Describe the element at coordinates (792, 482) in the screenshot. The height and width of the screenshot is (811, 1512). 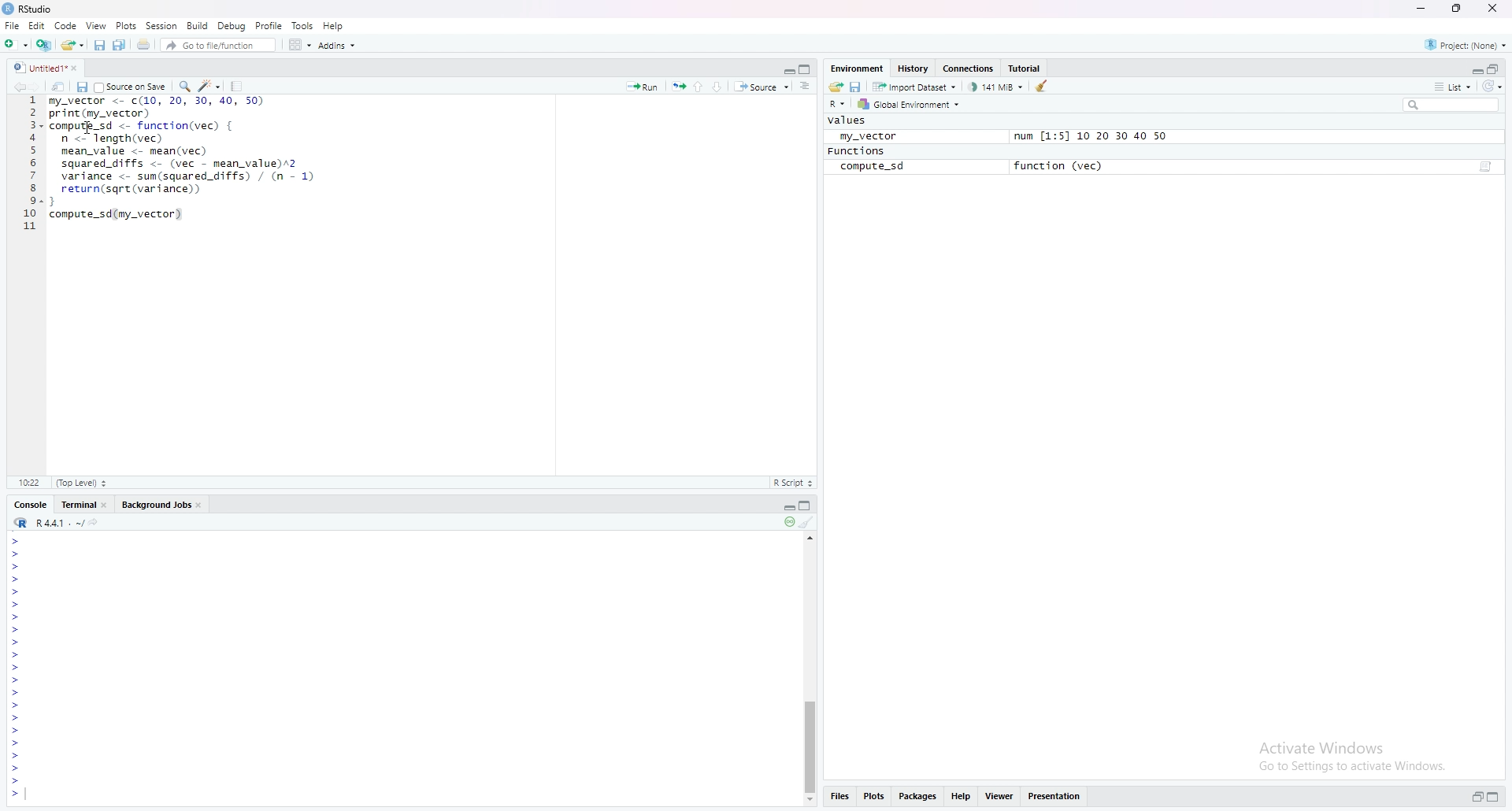
I see `R Script` at that location.